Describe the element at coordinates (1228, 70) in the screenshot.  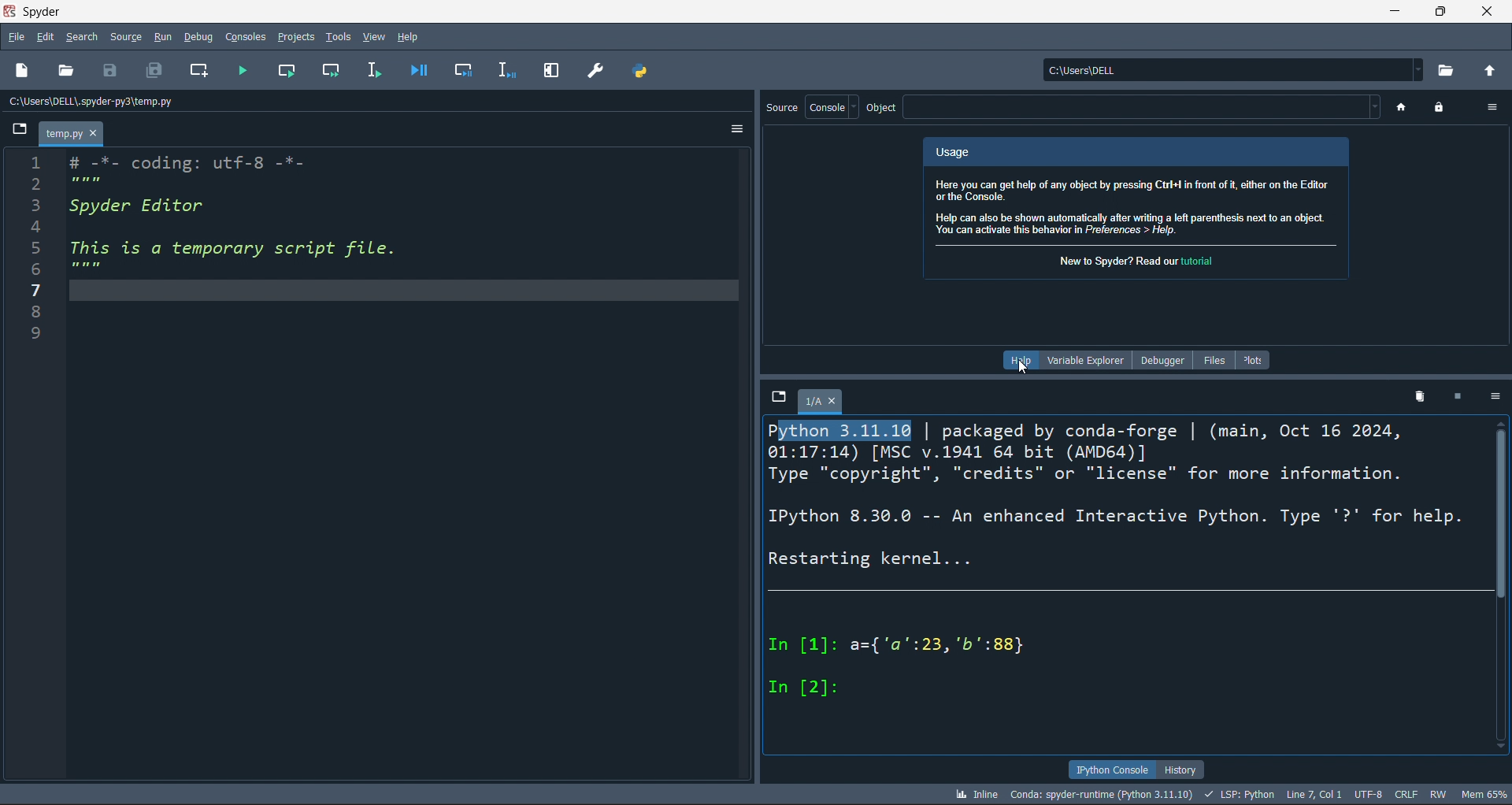
I see `current directory: c:\users\dell` at that location.